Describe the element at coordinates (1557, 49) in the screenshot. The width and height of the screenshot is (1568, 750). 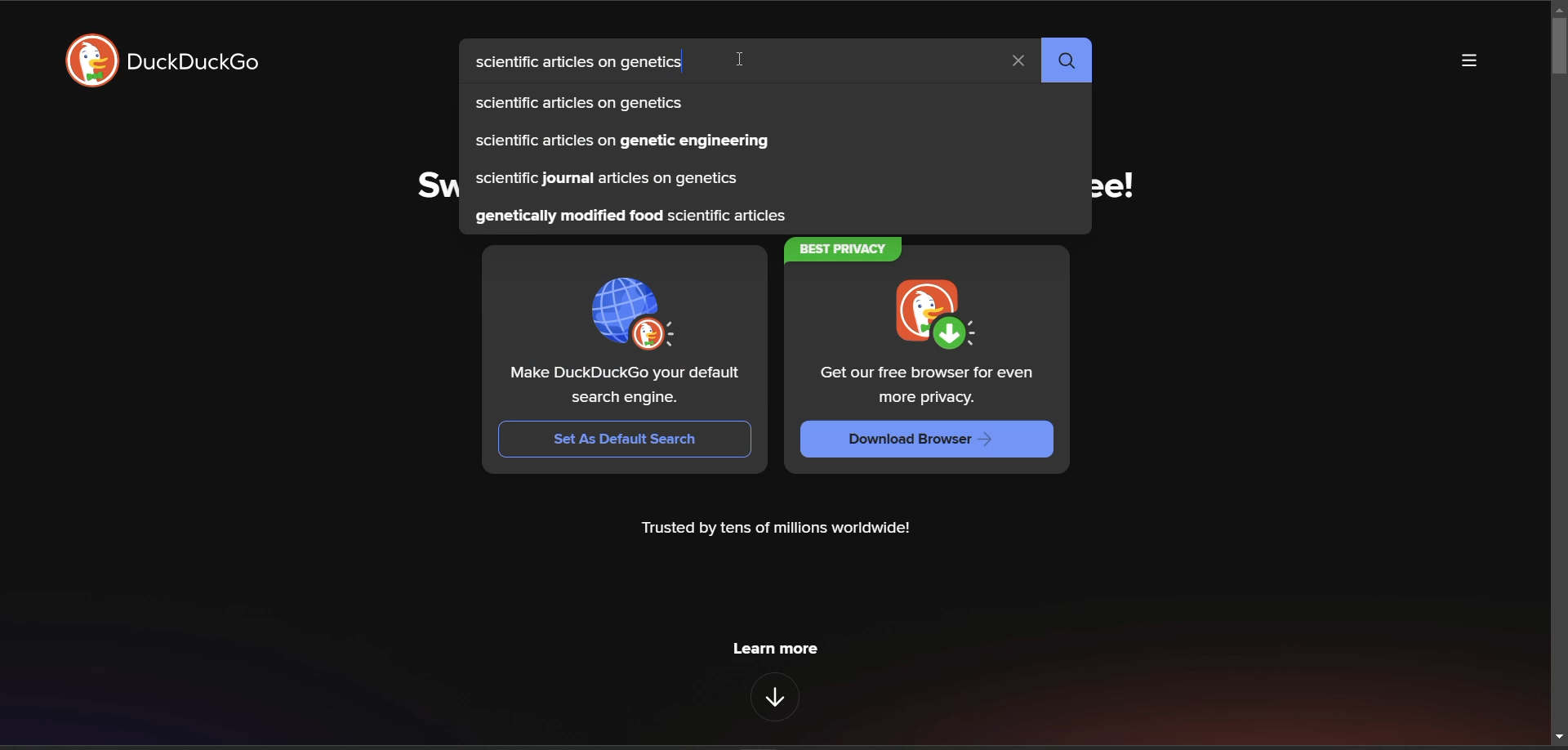
I see `vertical scroll bar` at that location.